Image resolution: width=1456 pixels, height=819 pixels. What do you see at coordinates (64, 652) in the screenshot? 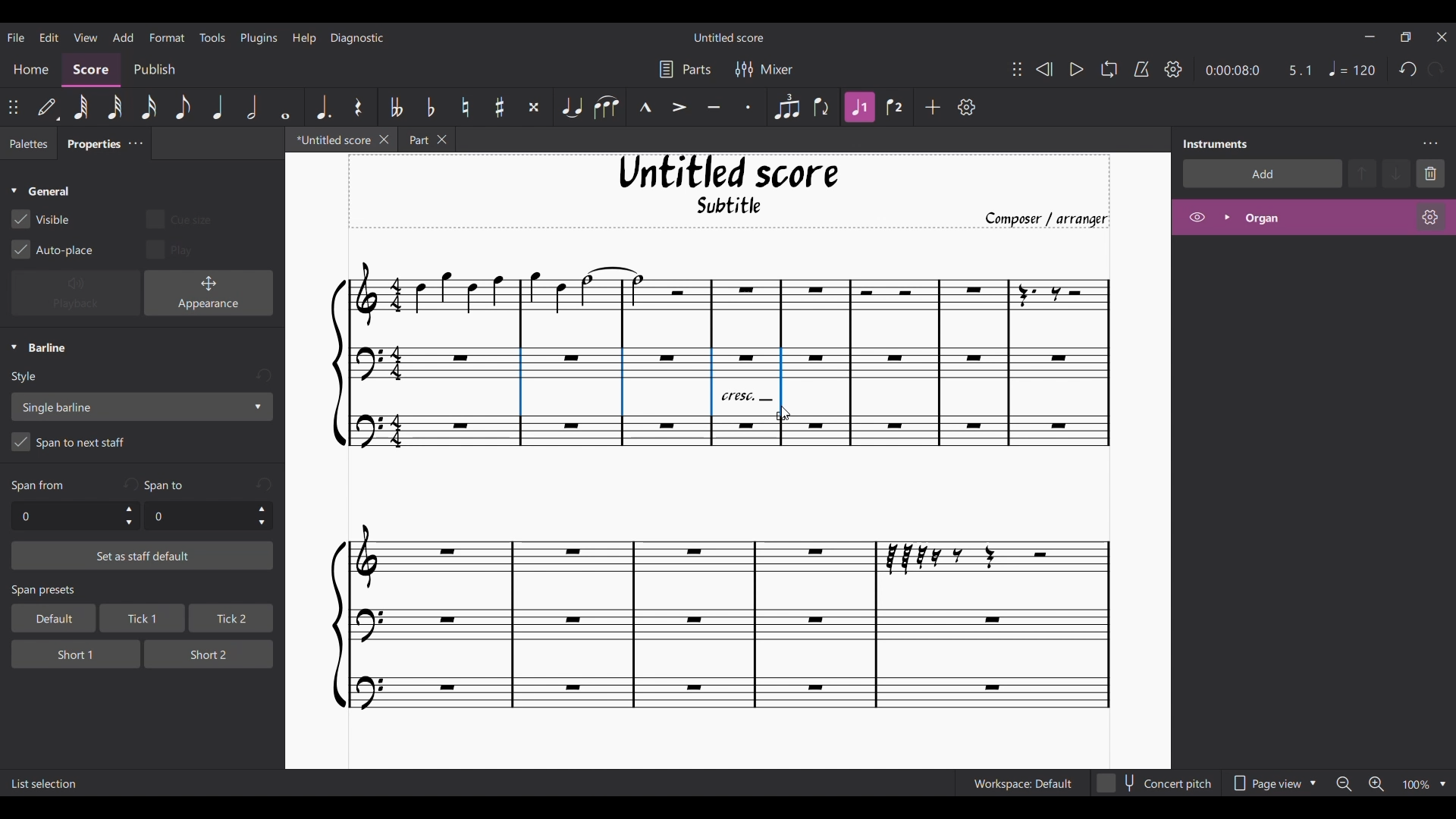
I see `short 1` at bounding box center [64, 652].